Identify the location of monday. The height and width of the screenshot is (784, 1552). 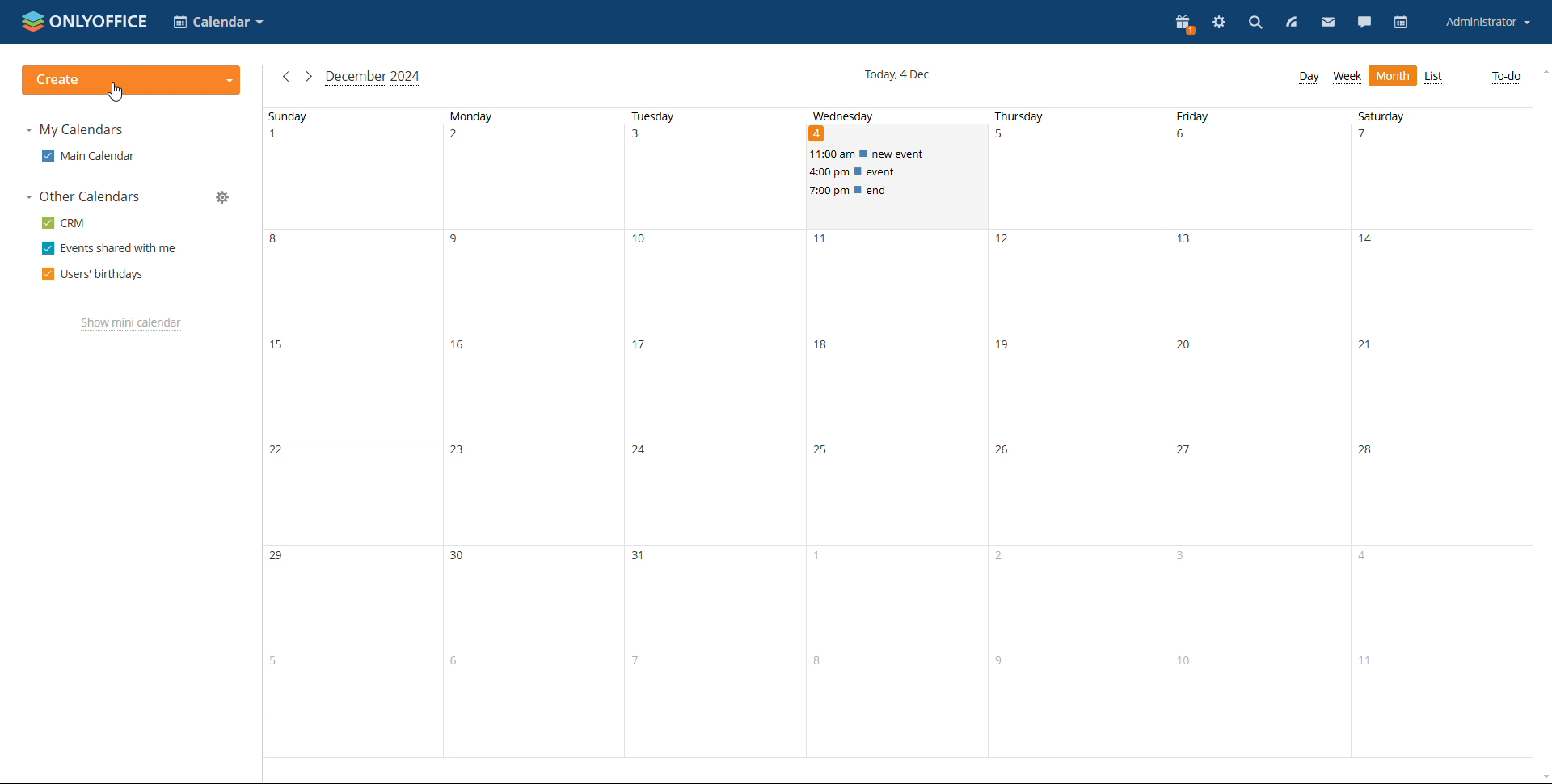
(533, 433).